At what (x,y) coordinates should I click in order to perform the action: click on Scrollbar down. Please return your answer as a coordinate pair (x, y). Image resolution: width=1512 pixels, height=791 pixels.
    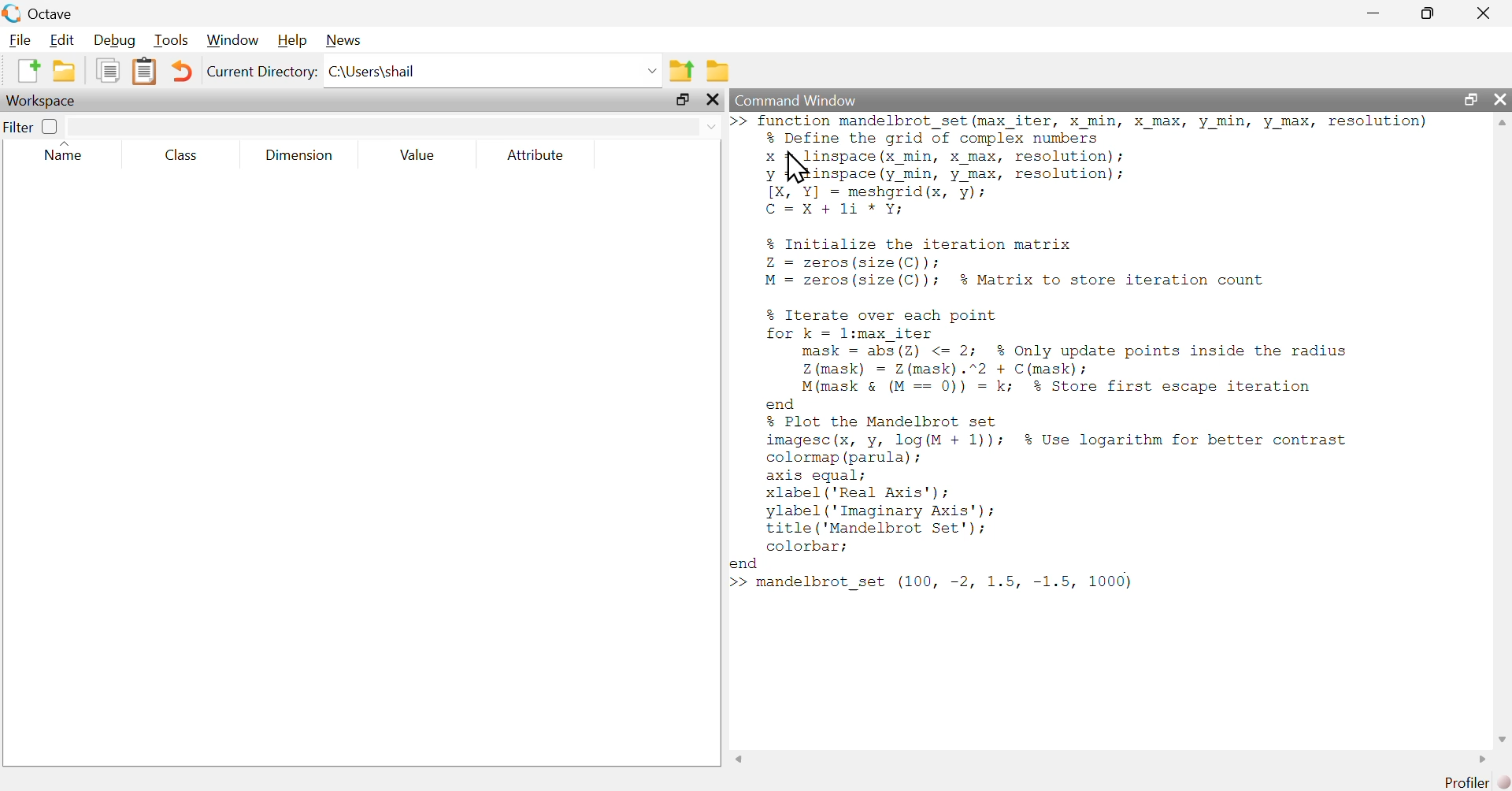
    Looking at the image, I should click on (1502, 737).